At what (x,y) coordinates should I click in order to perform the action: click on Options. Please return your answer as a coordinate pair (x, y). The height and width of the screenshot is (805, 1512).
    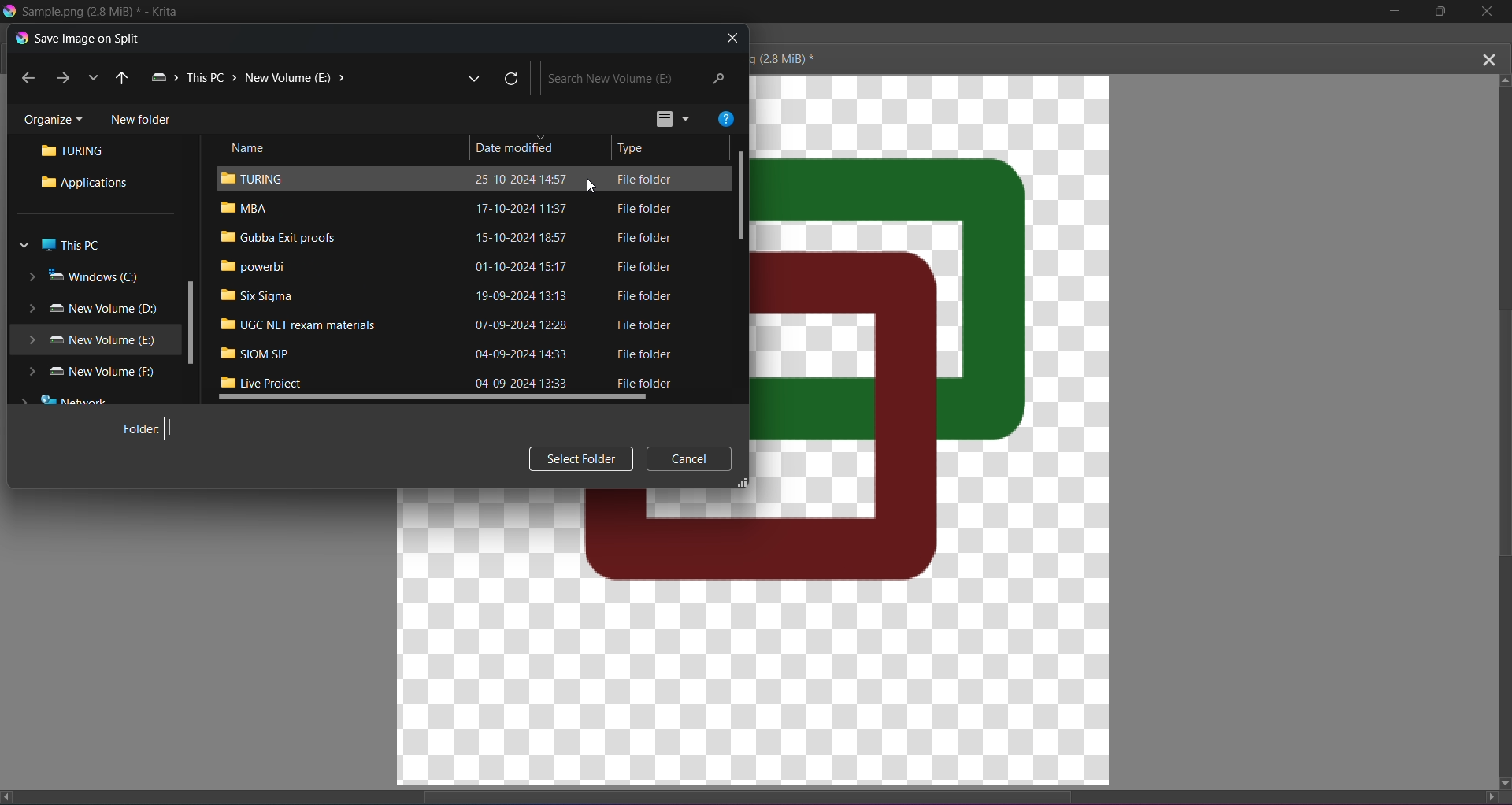
    Looking at the image, I should click on (672, 119).